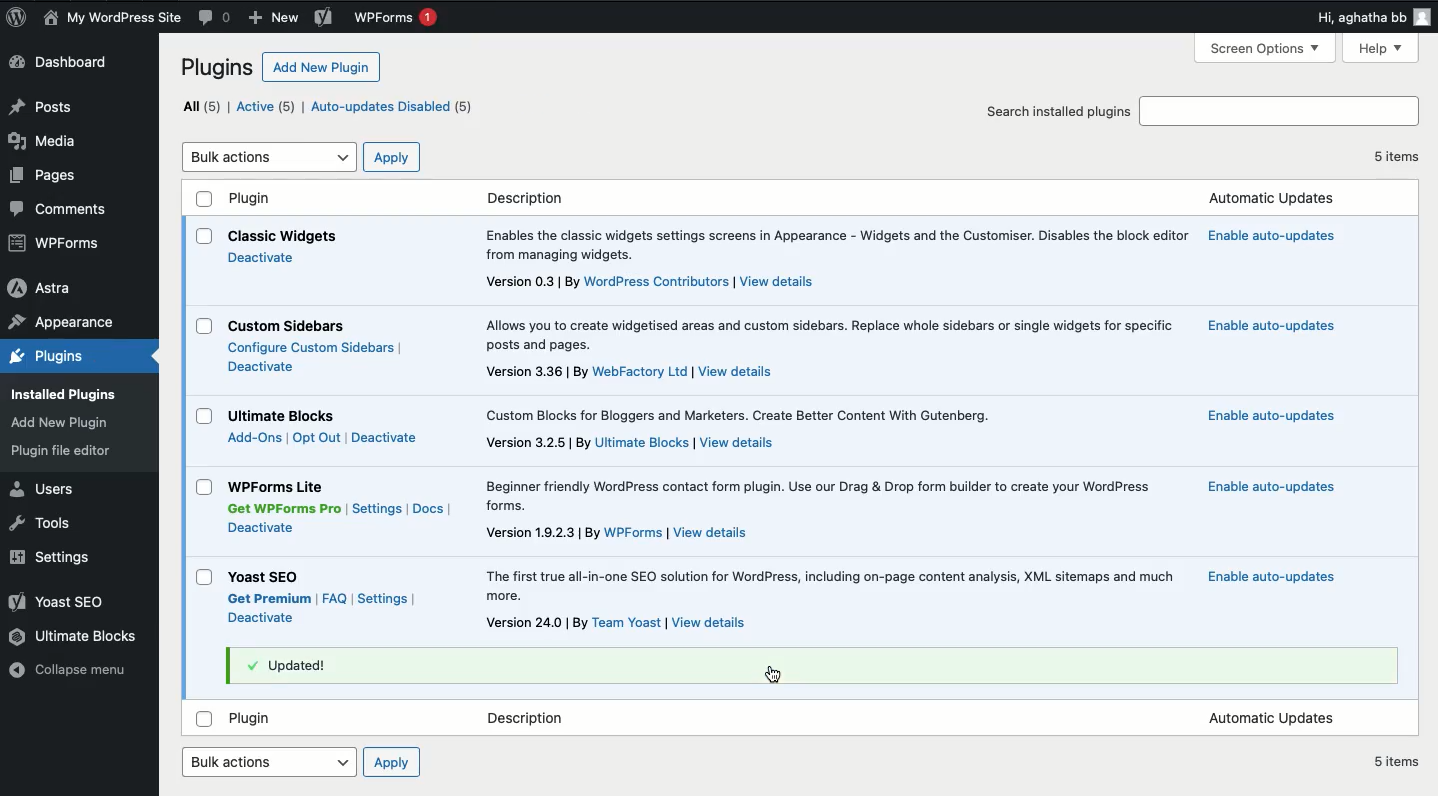  Describe the element at coordinates (203, 106) in the screenshot. I see `All` at that location.